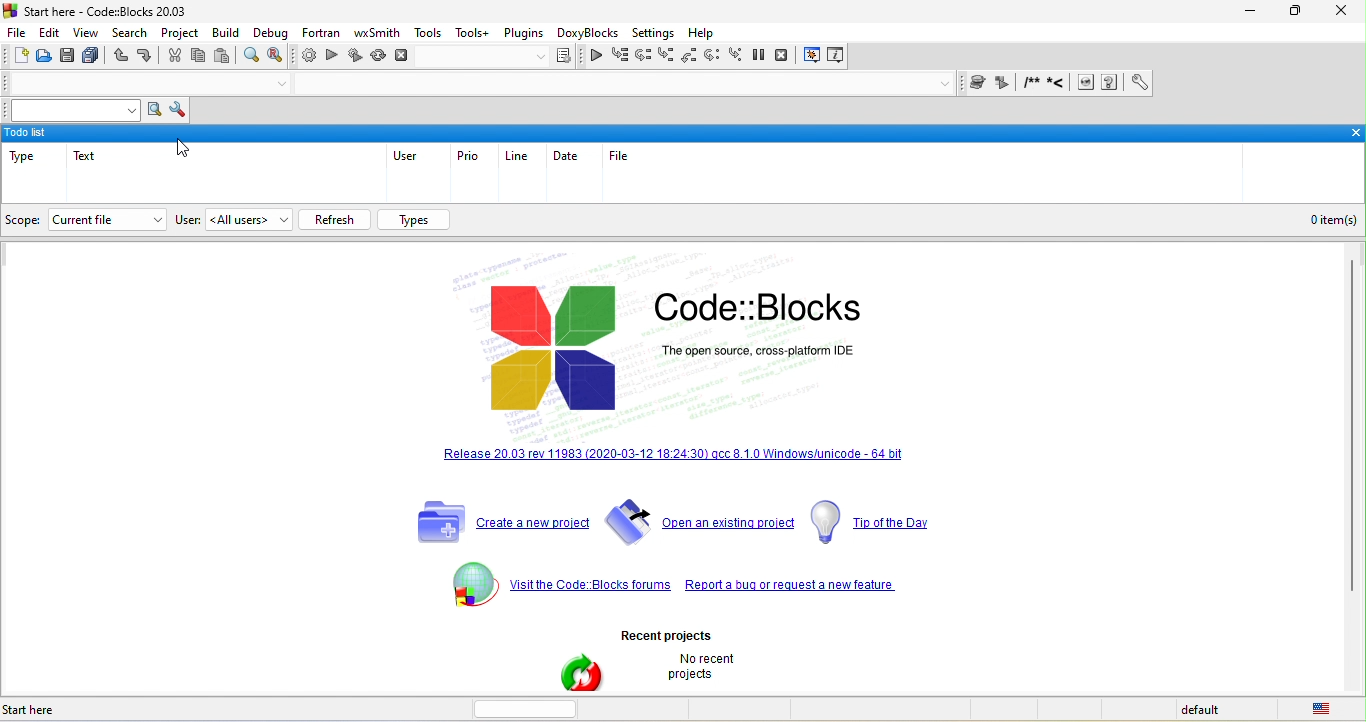  What do you see at coordinates (64, 710) in the screenshot?
I see `start here` at bounding box center [64, 710].